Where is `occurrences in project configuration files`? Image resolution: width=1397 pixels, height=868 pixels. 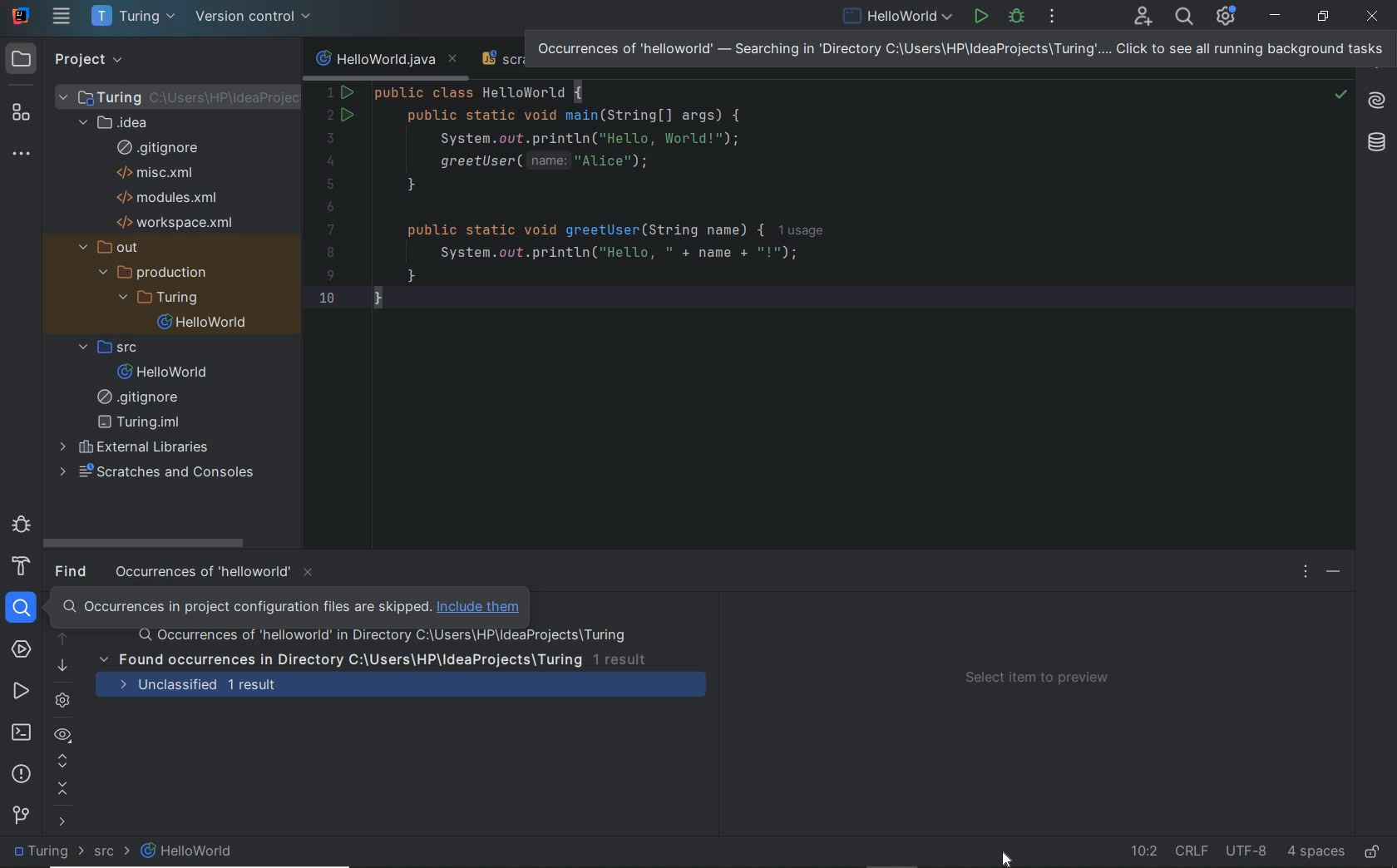 occurrences in project configuration files is located at coordinates (286, 606).